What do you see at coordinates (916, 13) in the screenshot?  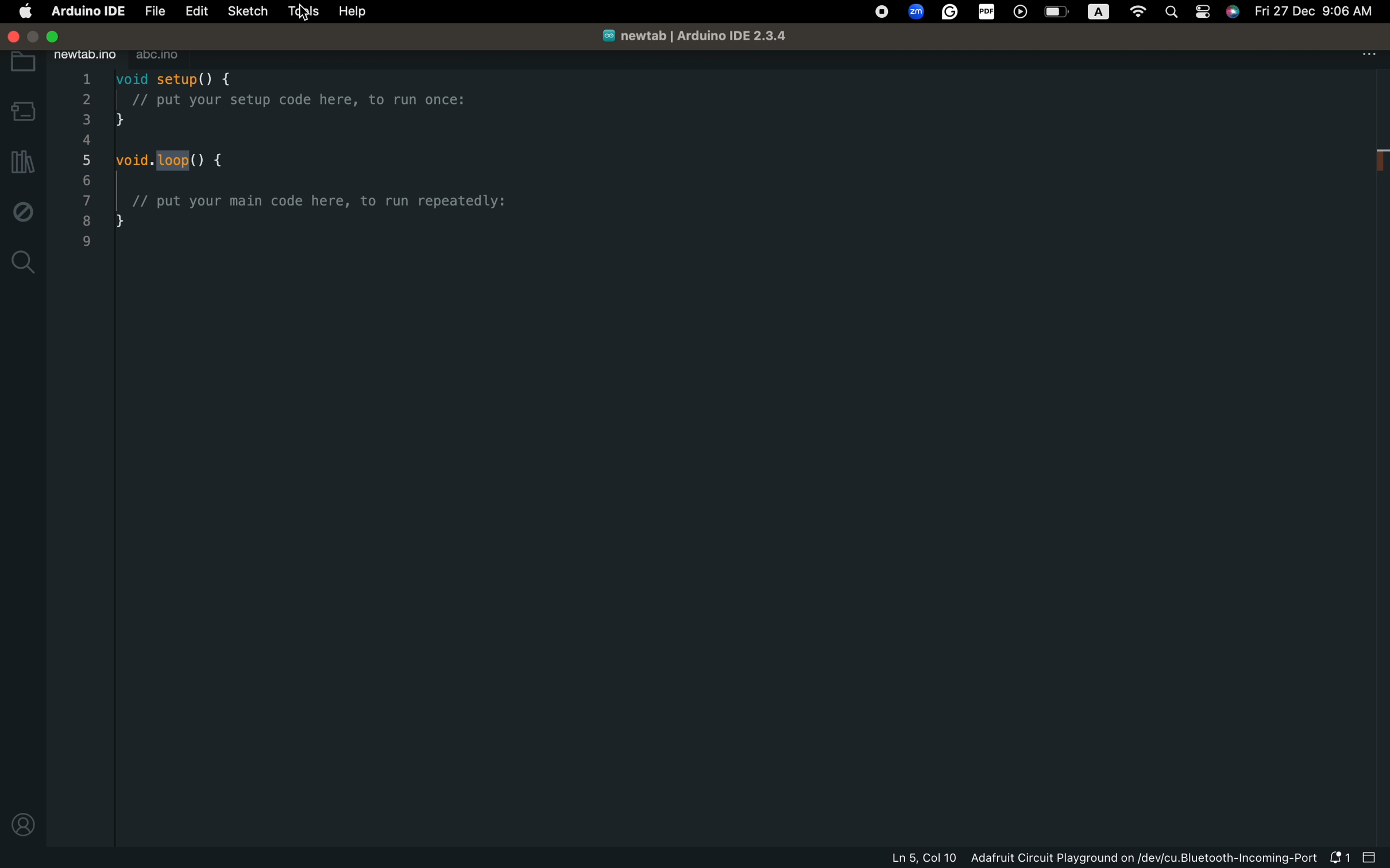 I see `Zoom` at bounding box center [916, 13].